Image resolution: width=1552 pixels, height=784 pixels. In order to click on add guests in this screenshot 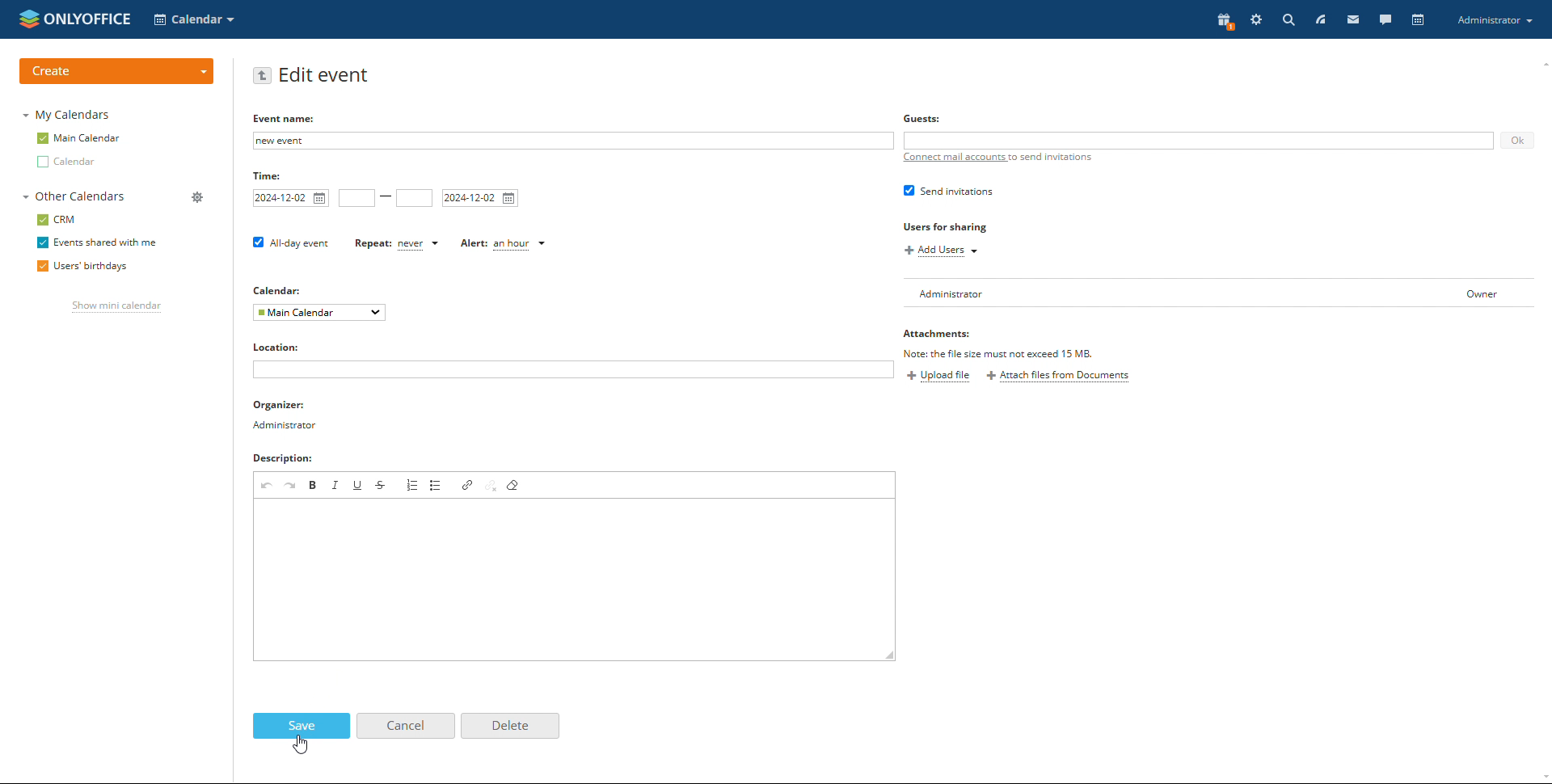, I will do `click(1198, 140)`.